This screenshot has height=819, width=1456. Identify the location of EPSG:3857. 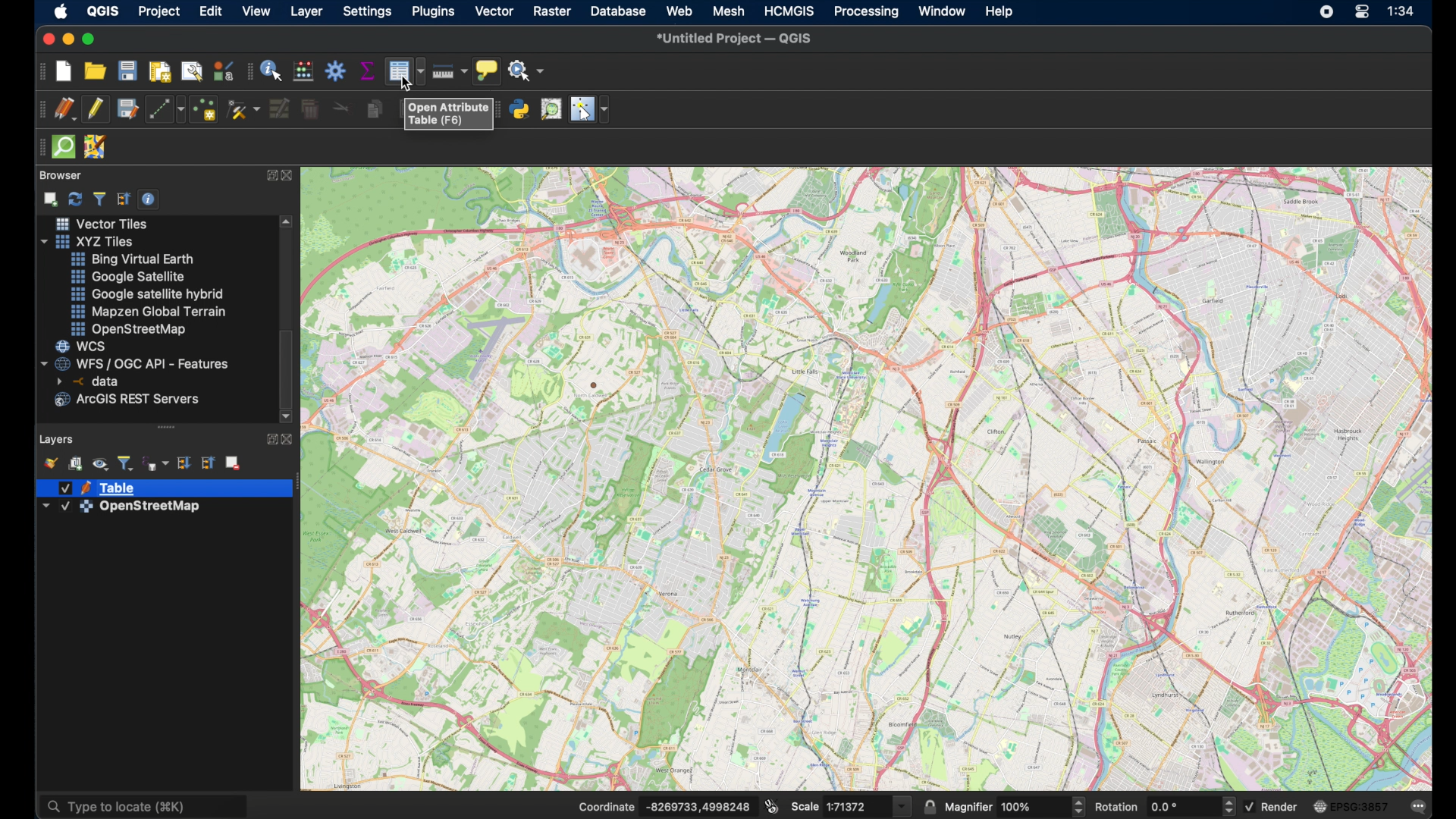
(1364, 805).